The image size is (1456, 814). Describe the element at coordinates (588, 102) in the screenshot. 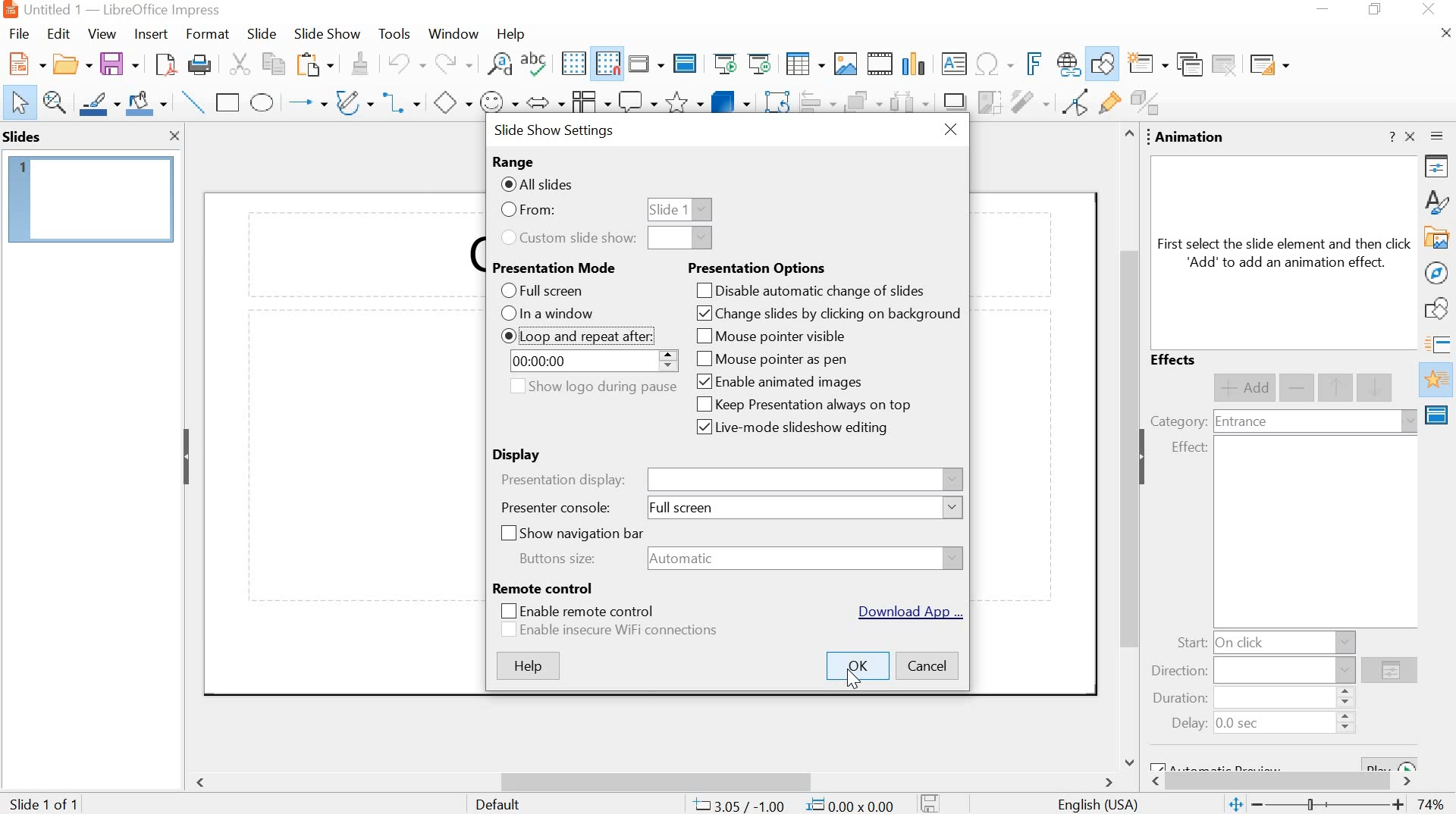

I see `flowchart` at that location.